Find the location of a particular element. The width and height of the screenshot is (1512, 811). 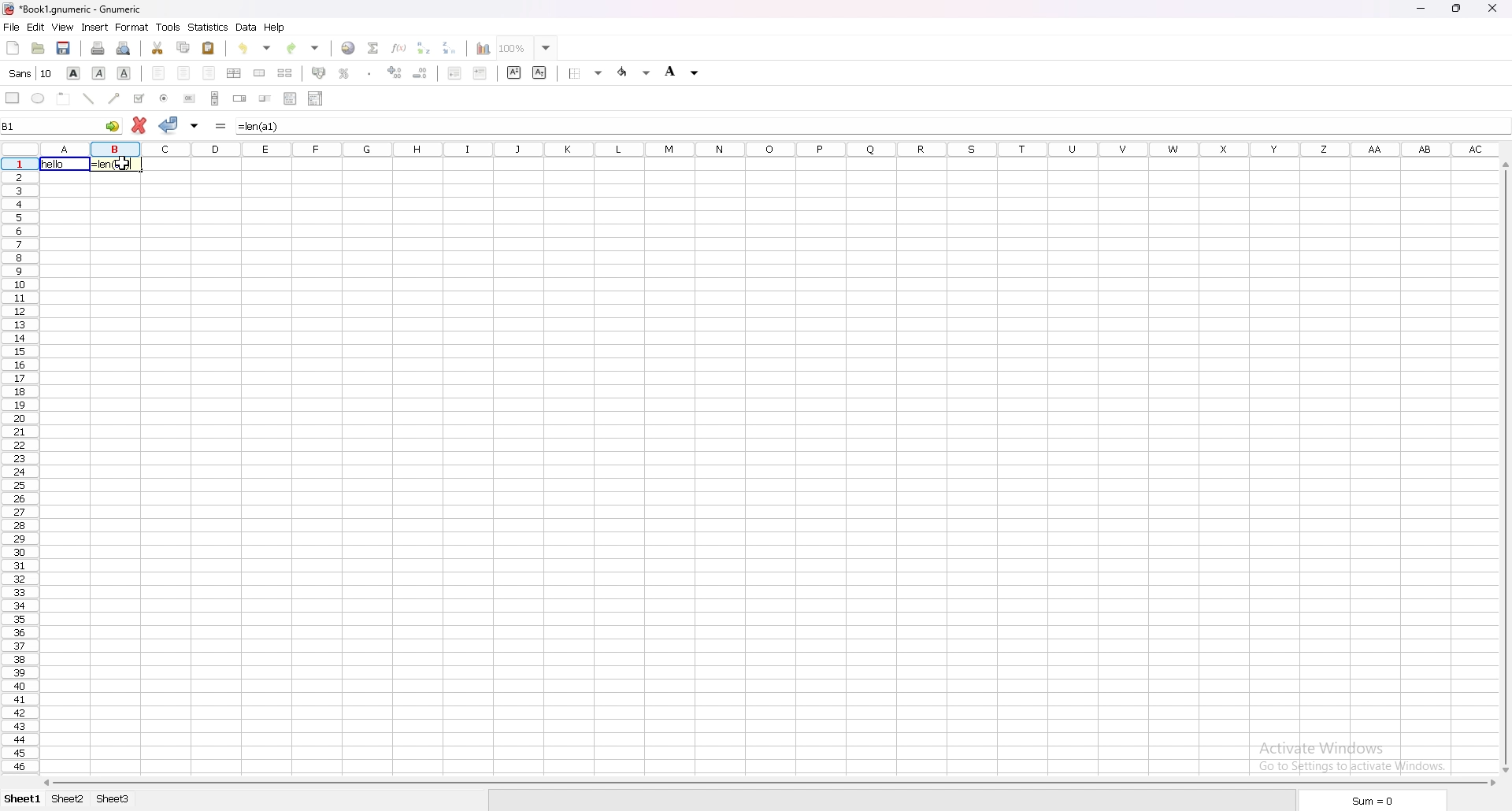

create spin button is located at coordinates (240, 98).